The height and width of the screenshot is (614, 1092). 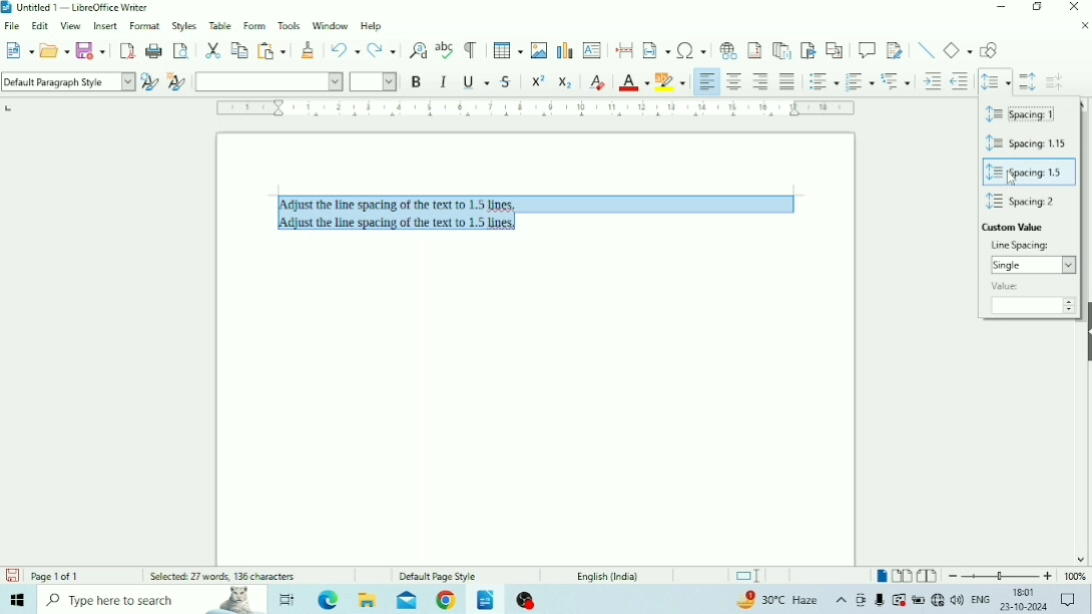 I want to click on Show Draw Functions, so click(x=989, y=48).